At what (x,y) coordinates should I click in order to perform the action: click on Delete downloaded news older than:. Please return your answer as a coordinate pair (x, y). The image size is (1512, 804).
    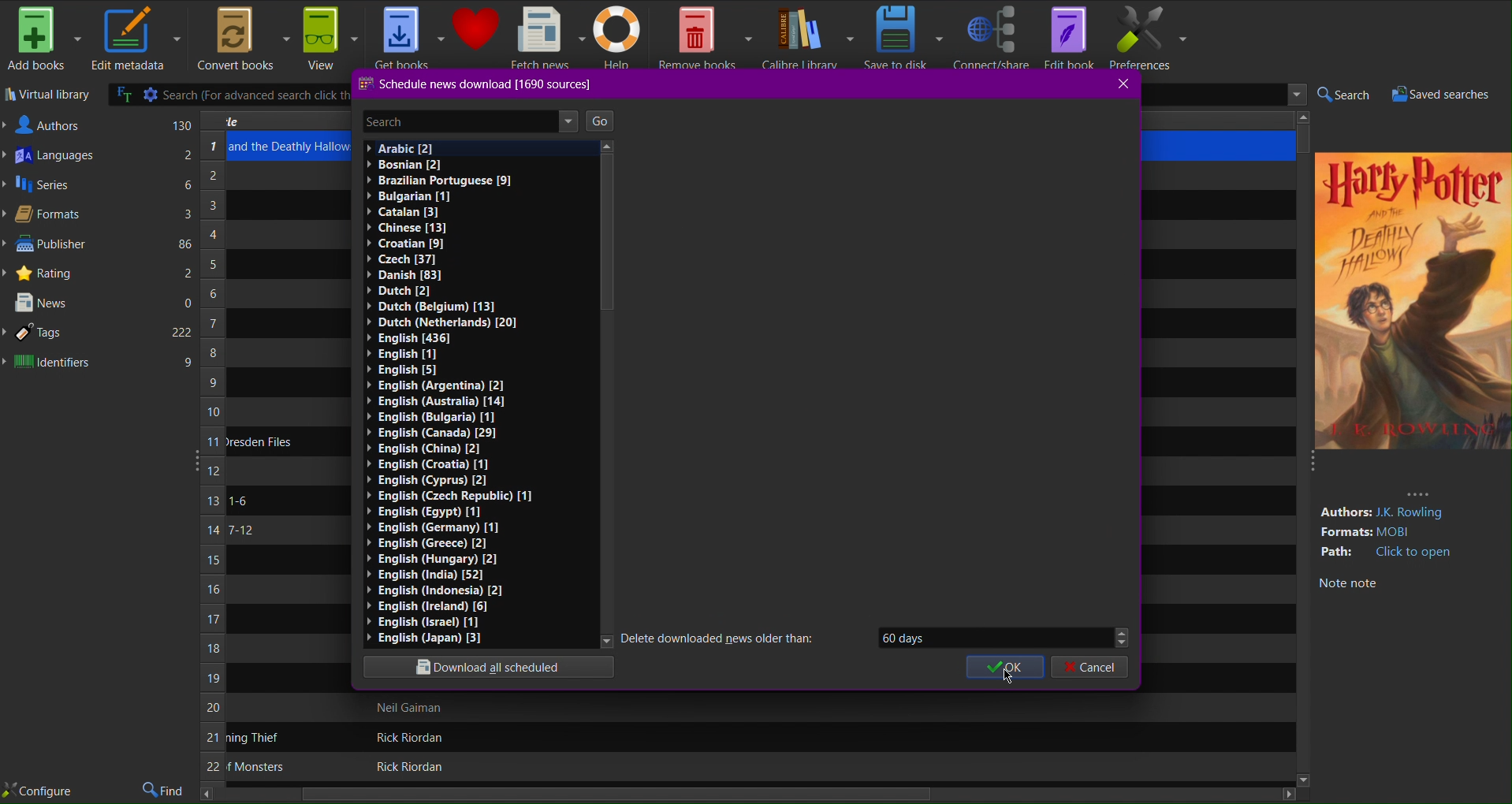
    Looking at the image, I should click on (725, 637).